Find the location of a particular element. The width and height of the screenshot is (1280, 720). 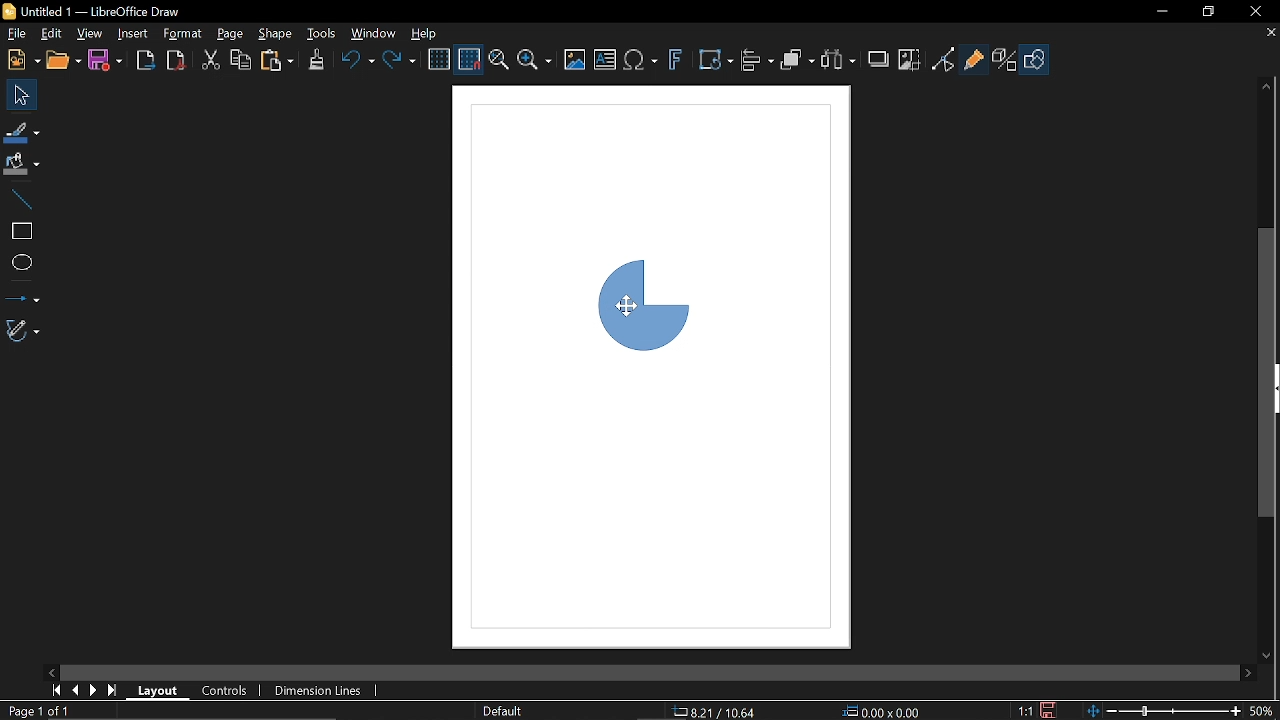

Ellipse is located at coordinates (24, 261).